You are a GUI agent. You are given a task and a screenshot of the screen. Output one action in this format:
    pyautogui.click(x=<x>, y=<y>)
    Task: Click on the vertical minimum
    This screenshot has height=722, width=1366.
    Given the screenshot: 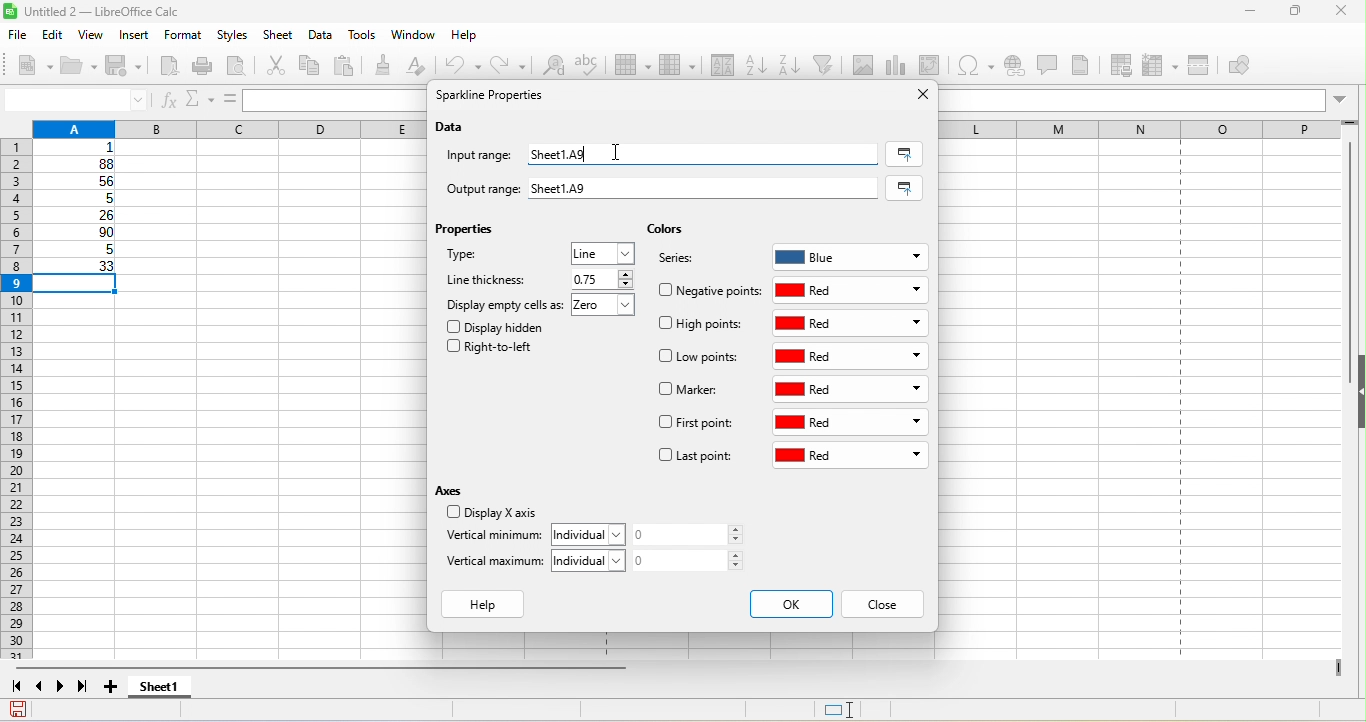 What is the action you would take?
    pyautogui.click(x=493, y=537)
    